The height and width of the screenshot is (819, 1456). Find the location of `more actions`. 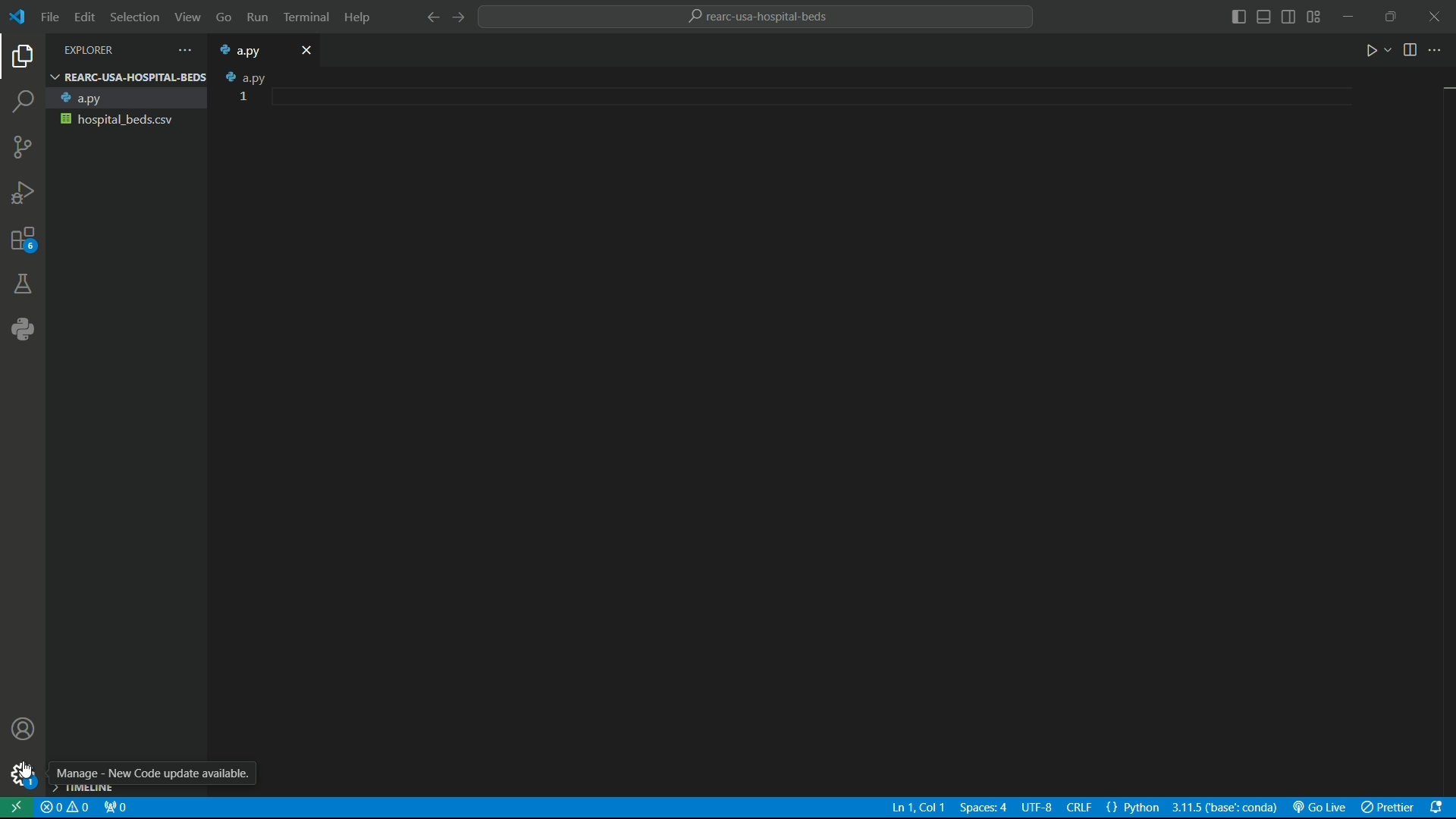

more actions is located at coordinates (181, 50).